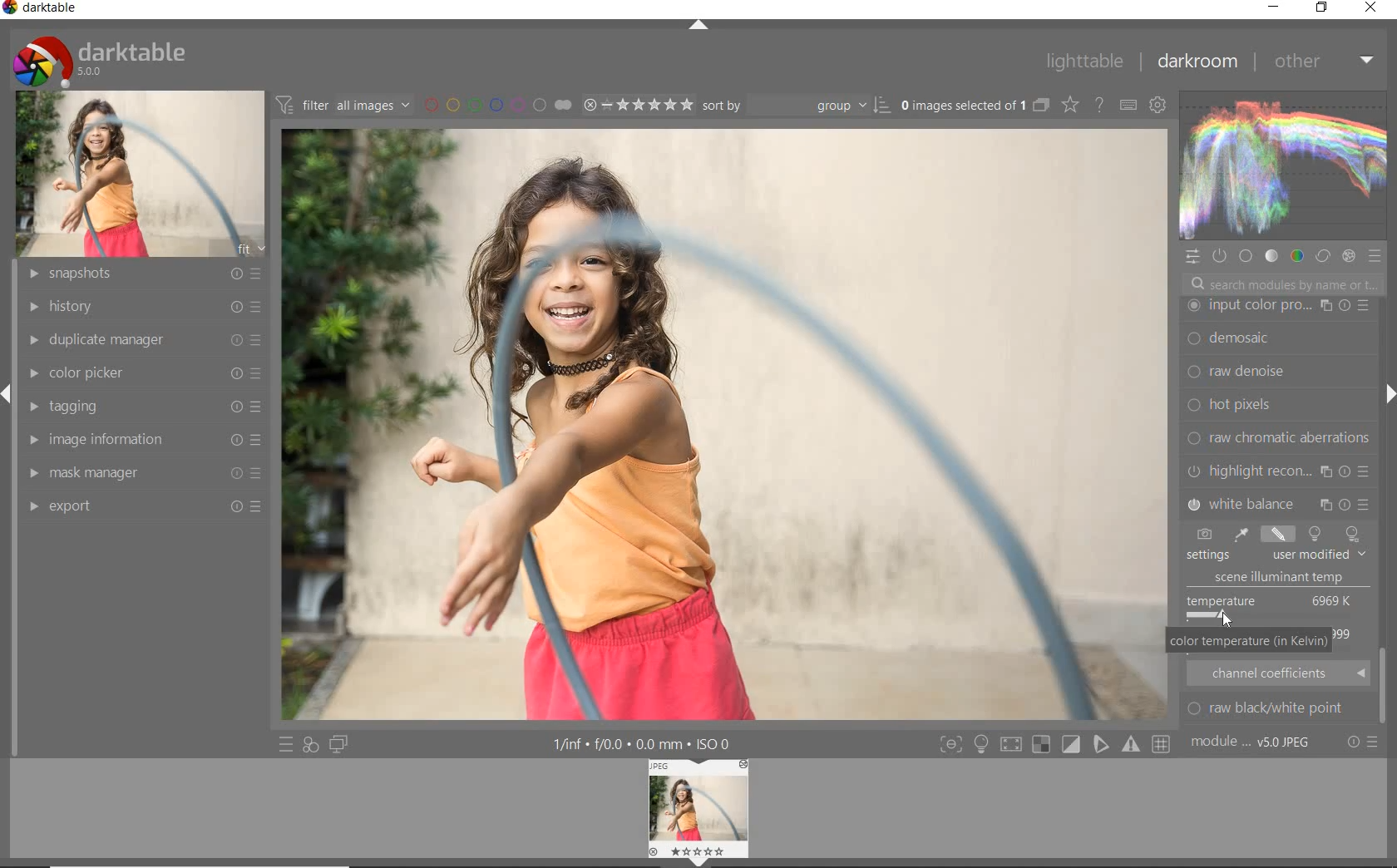 The image size is (1397, 868). I want to click on effect, so click(1348, 255).